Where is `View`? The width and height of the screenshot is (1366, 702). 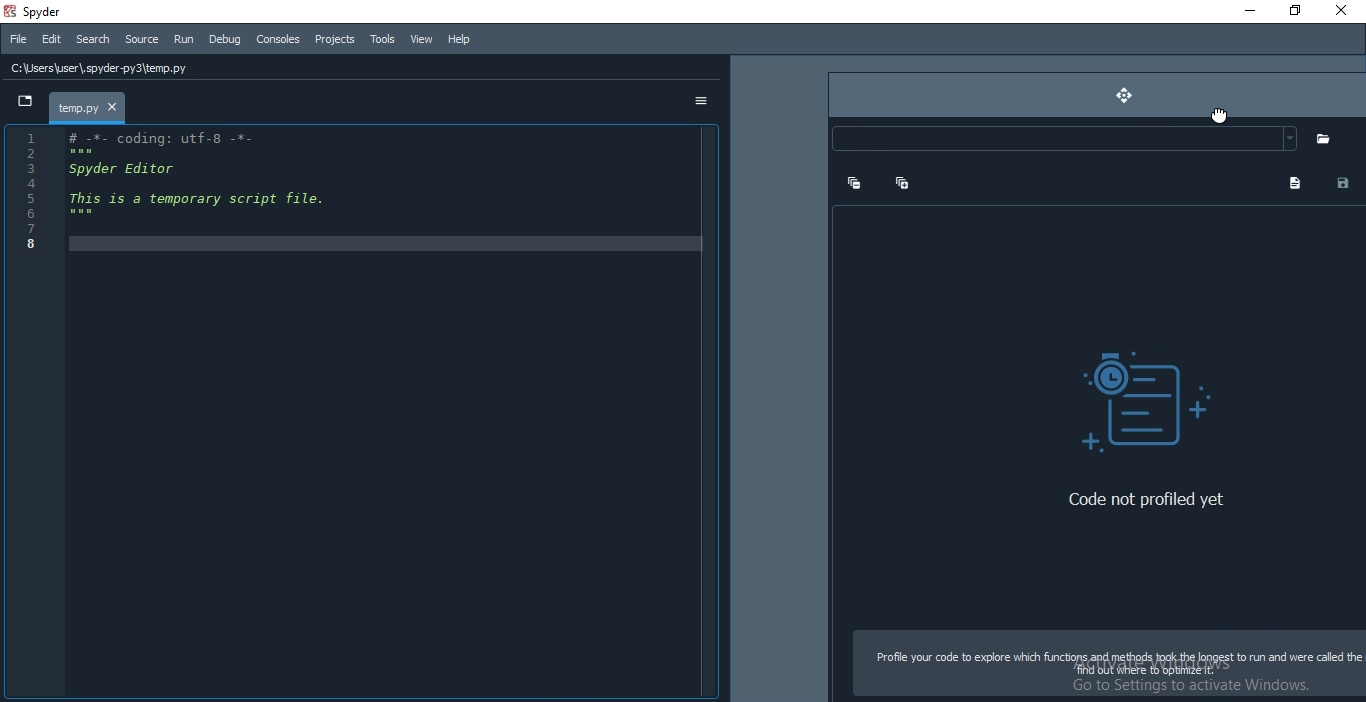
View is located at coordinates (419, 37).